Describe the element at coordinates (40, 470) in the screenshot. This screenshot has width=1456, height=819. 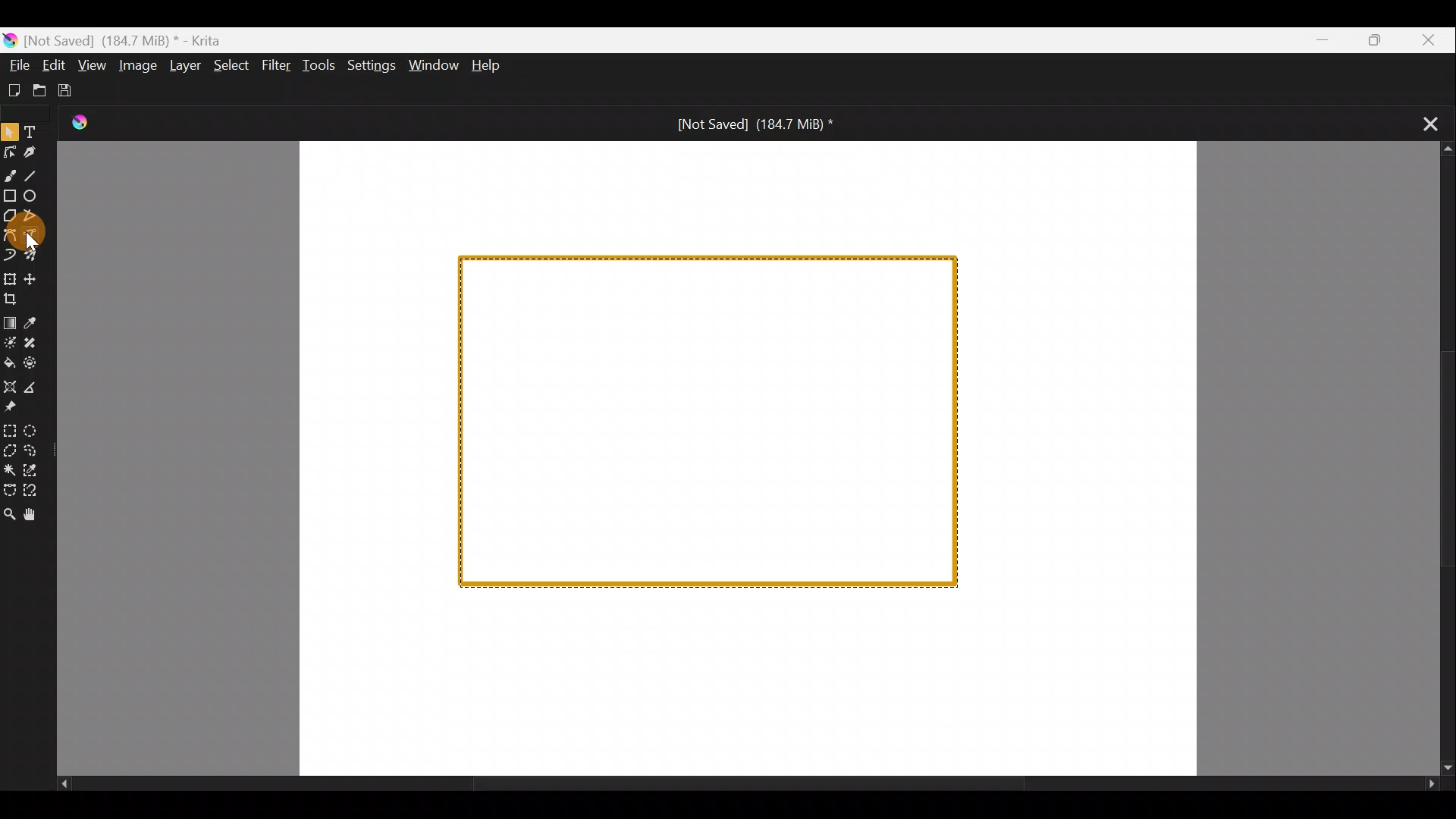
I see `Similar colour selection tool` at that location.